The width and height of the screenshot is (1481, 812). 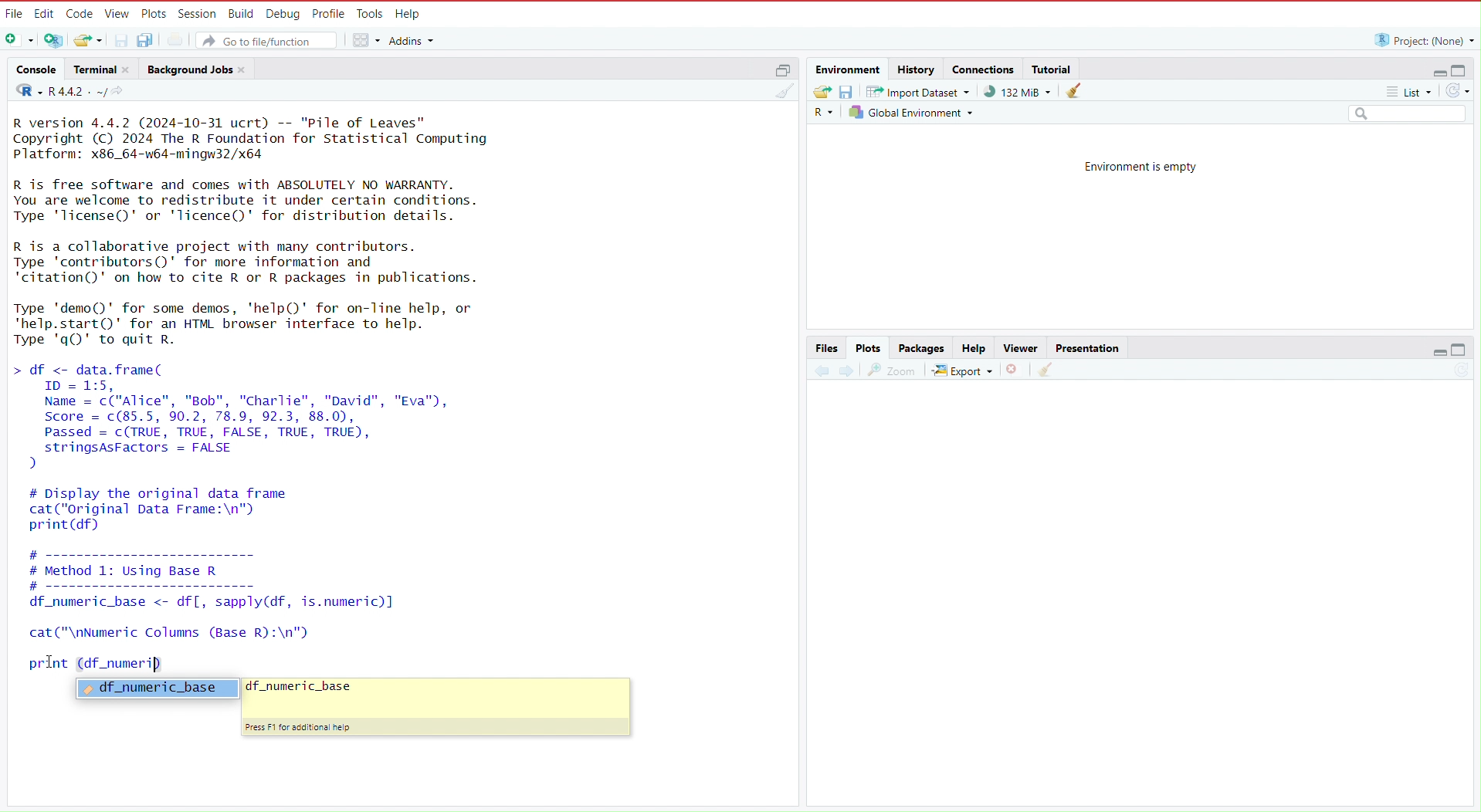 I want to click on addins, so click(x=413, y=39).